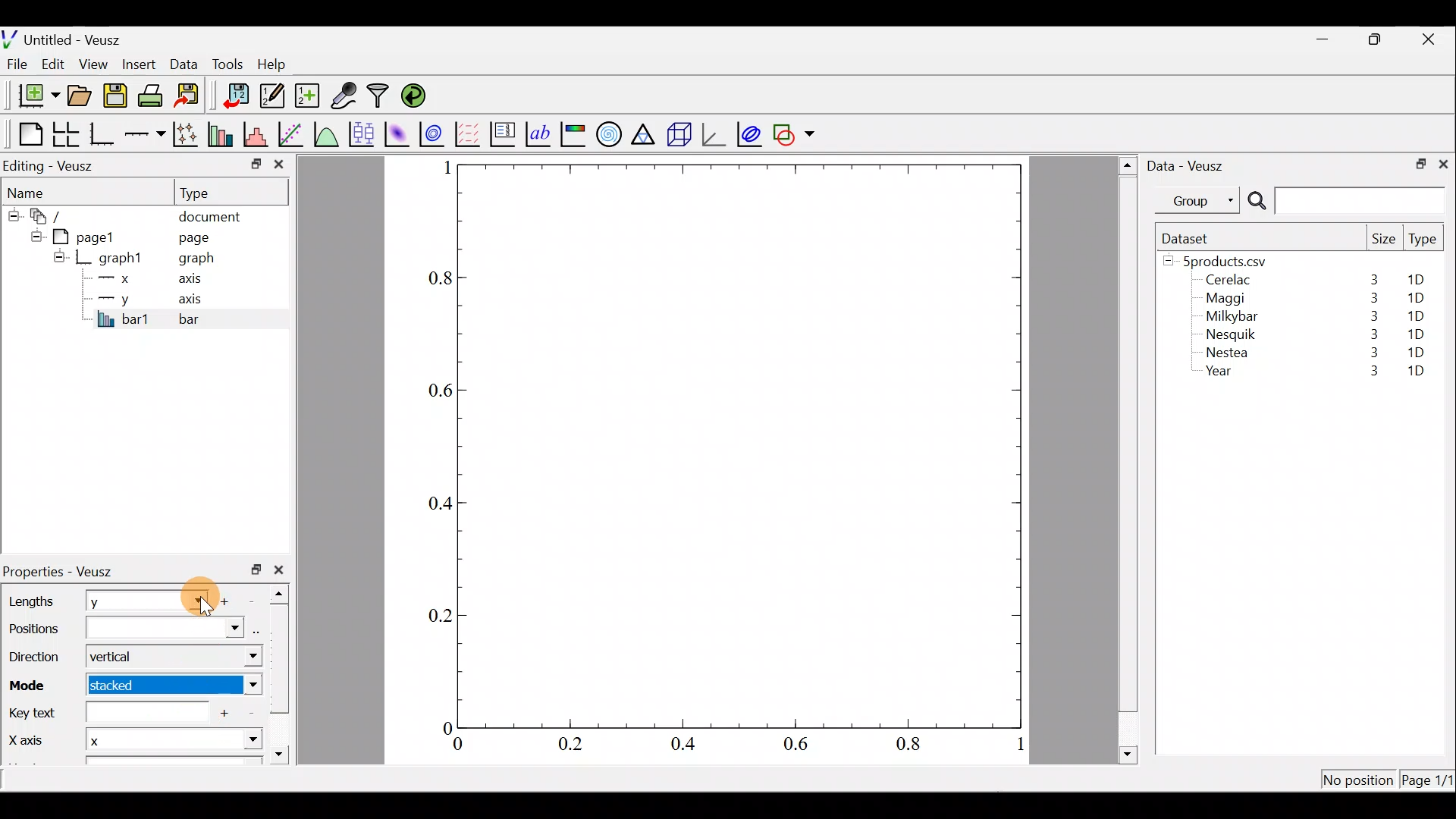 The width and height of the screenshot is (1456, 819). Describe the element at coordinates (802, 748) in the screenshot. I see `0.6` at that location.